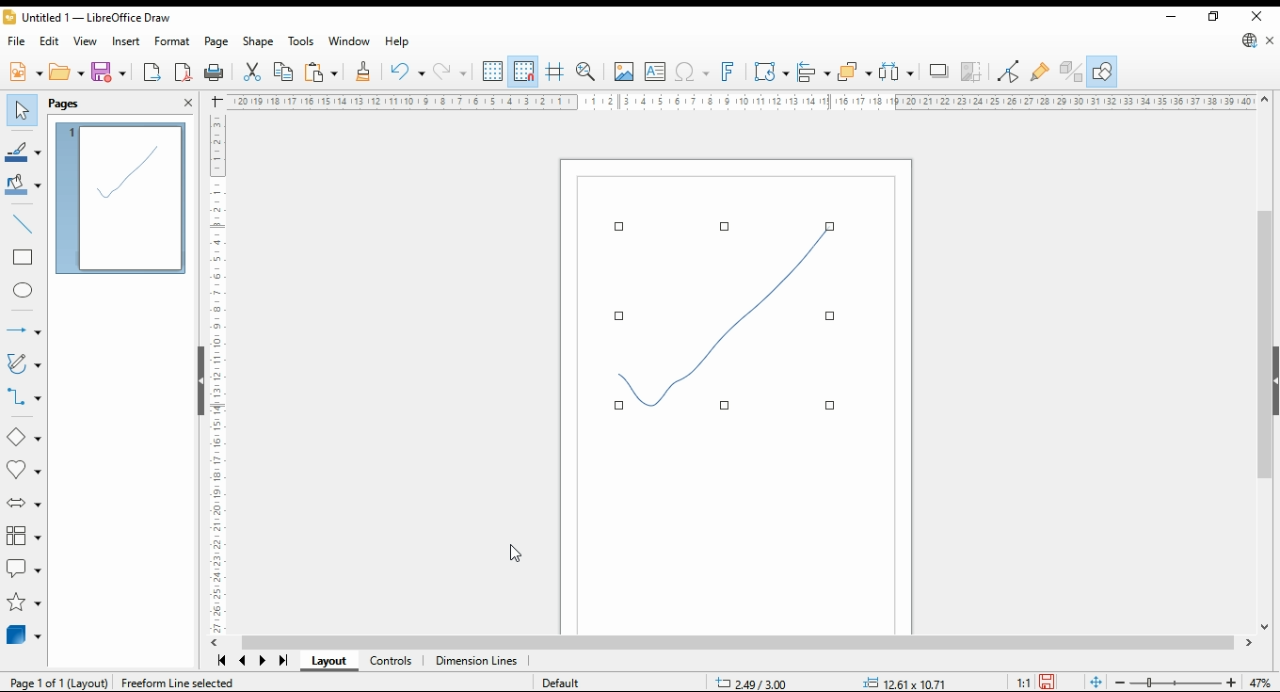  Describe the element at coordinates (23, 259) in the screenshot. I see `rectangle` at that location.